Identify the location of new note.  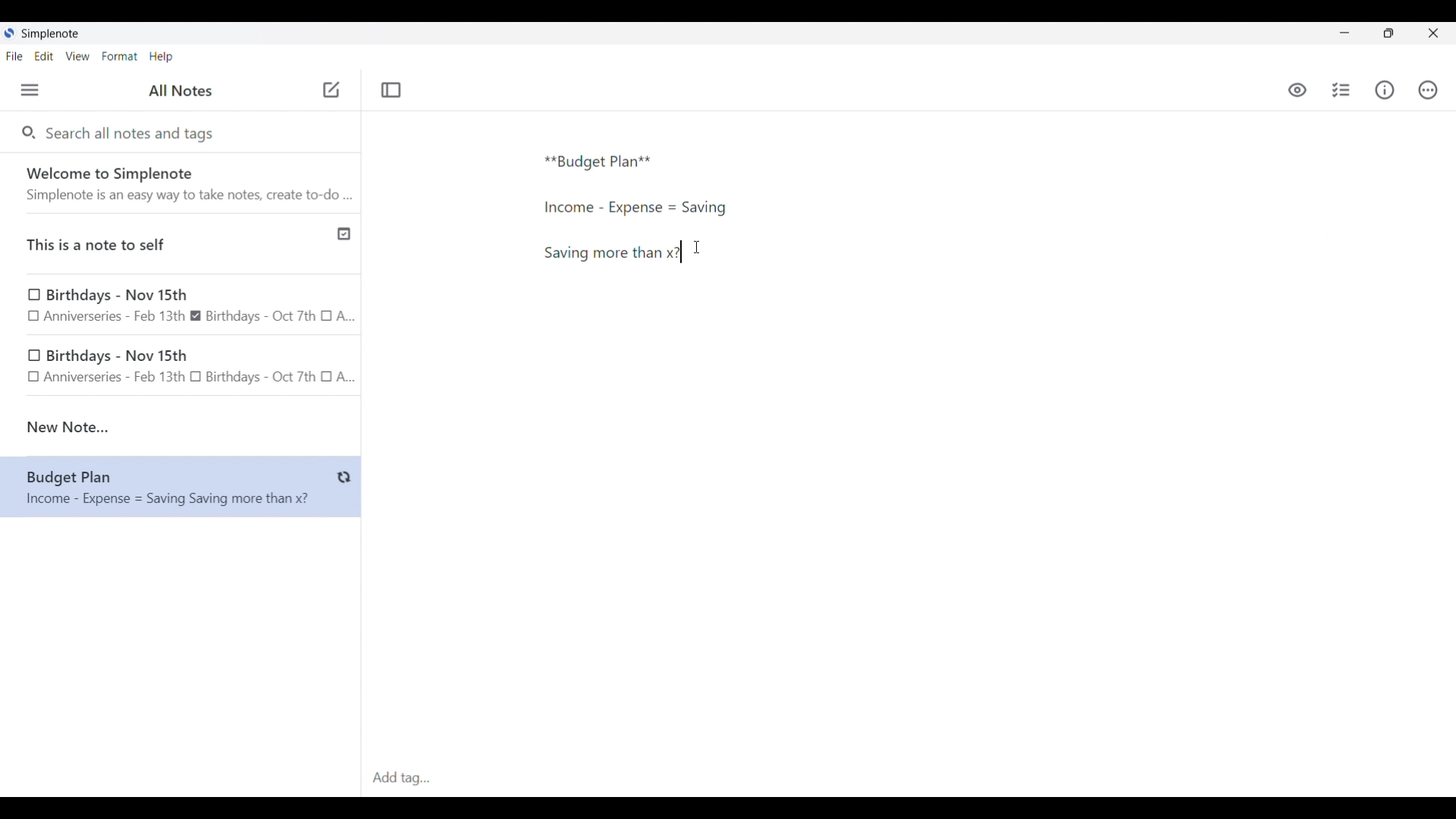
(180, 427).